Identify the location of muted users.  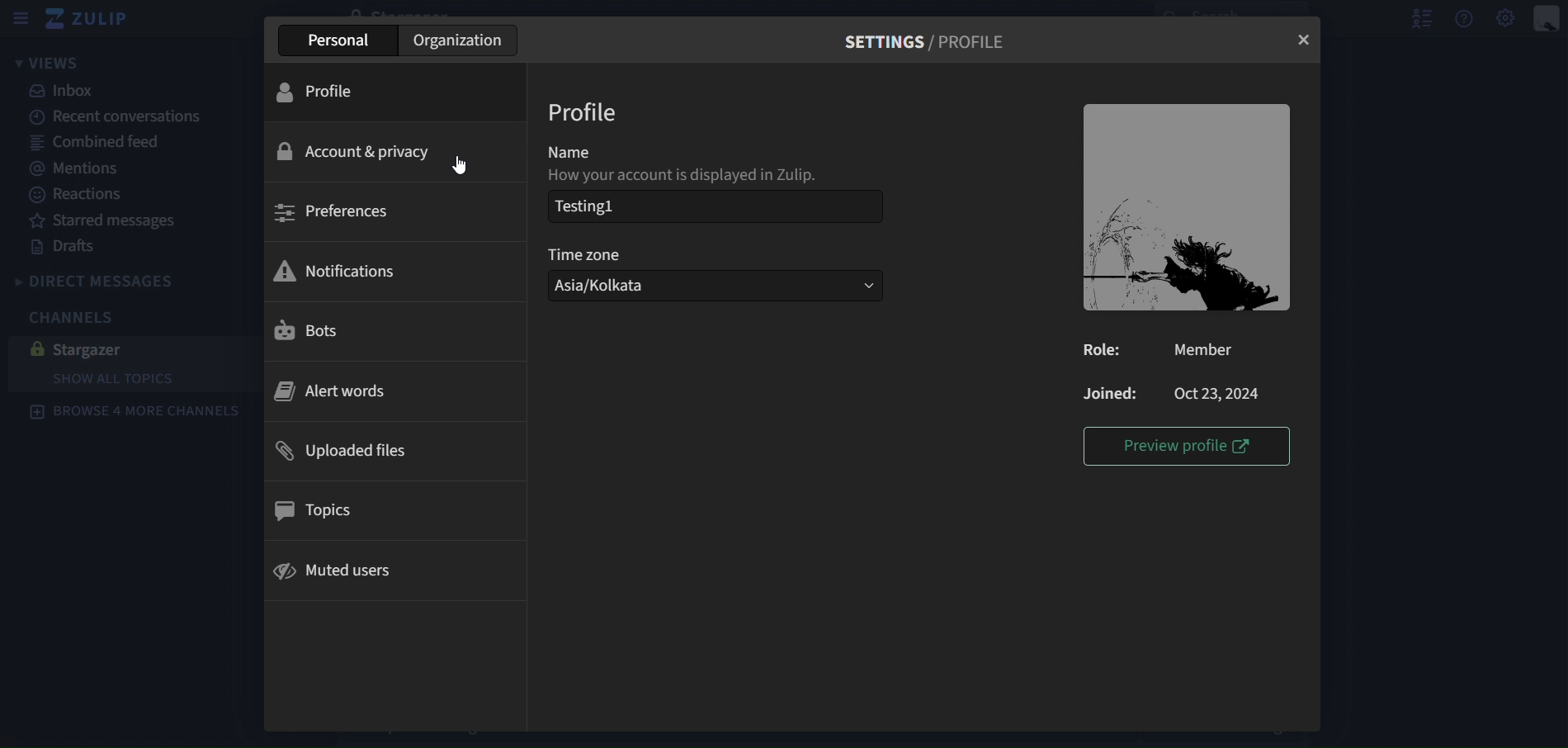
(333, 570).